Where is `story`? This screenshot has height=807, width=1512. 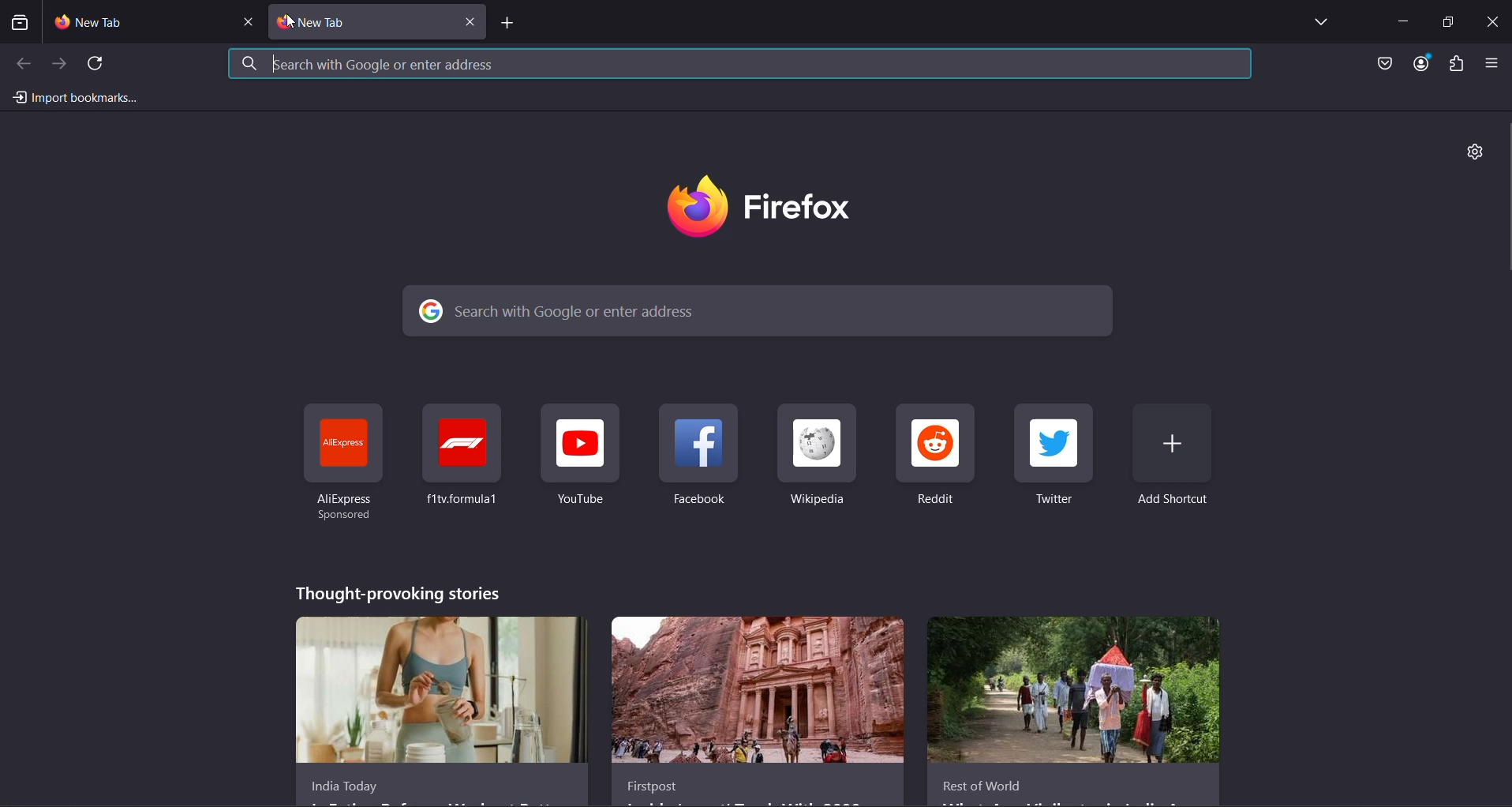 story is located at coordinates (755, 712).